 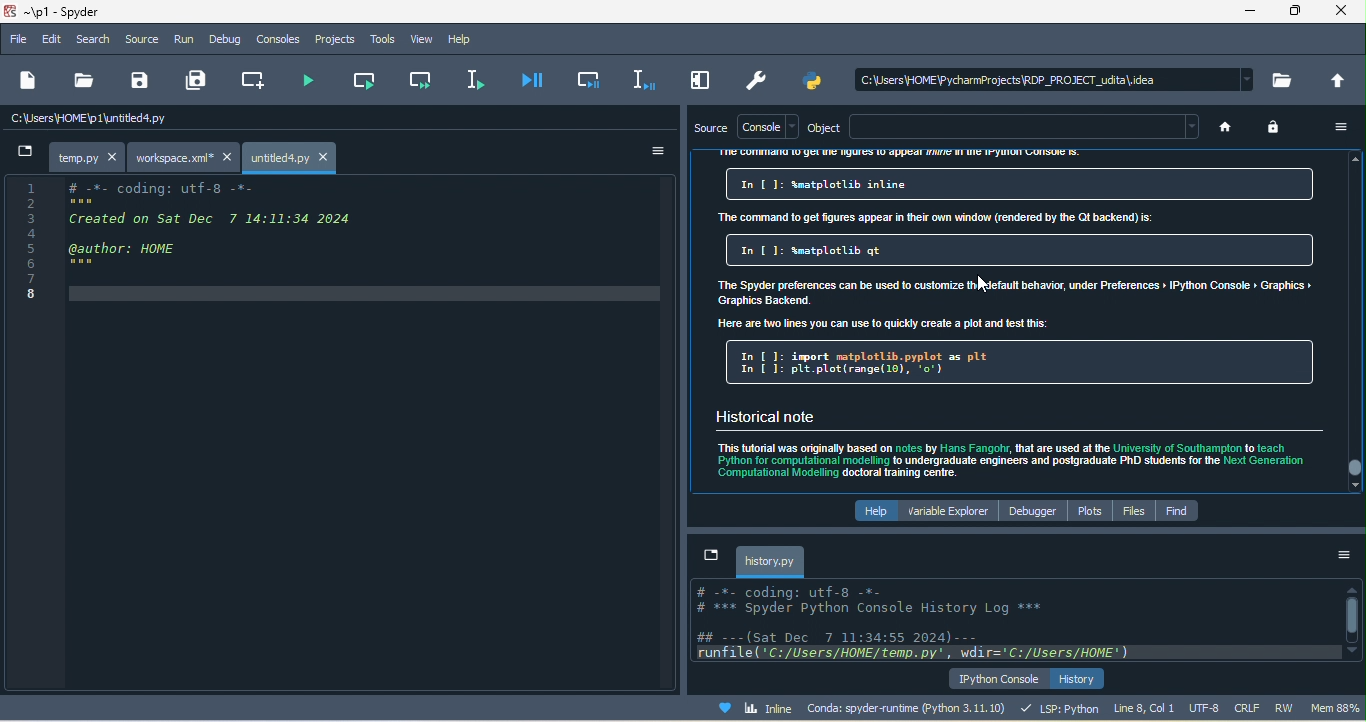 What do you see at coordinates (588, 79) in the screenshot?
I see `debug cell` at bounding box center [588, 79].